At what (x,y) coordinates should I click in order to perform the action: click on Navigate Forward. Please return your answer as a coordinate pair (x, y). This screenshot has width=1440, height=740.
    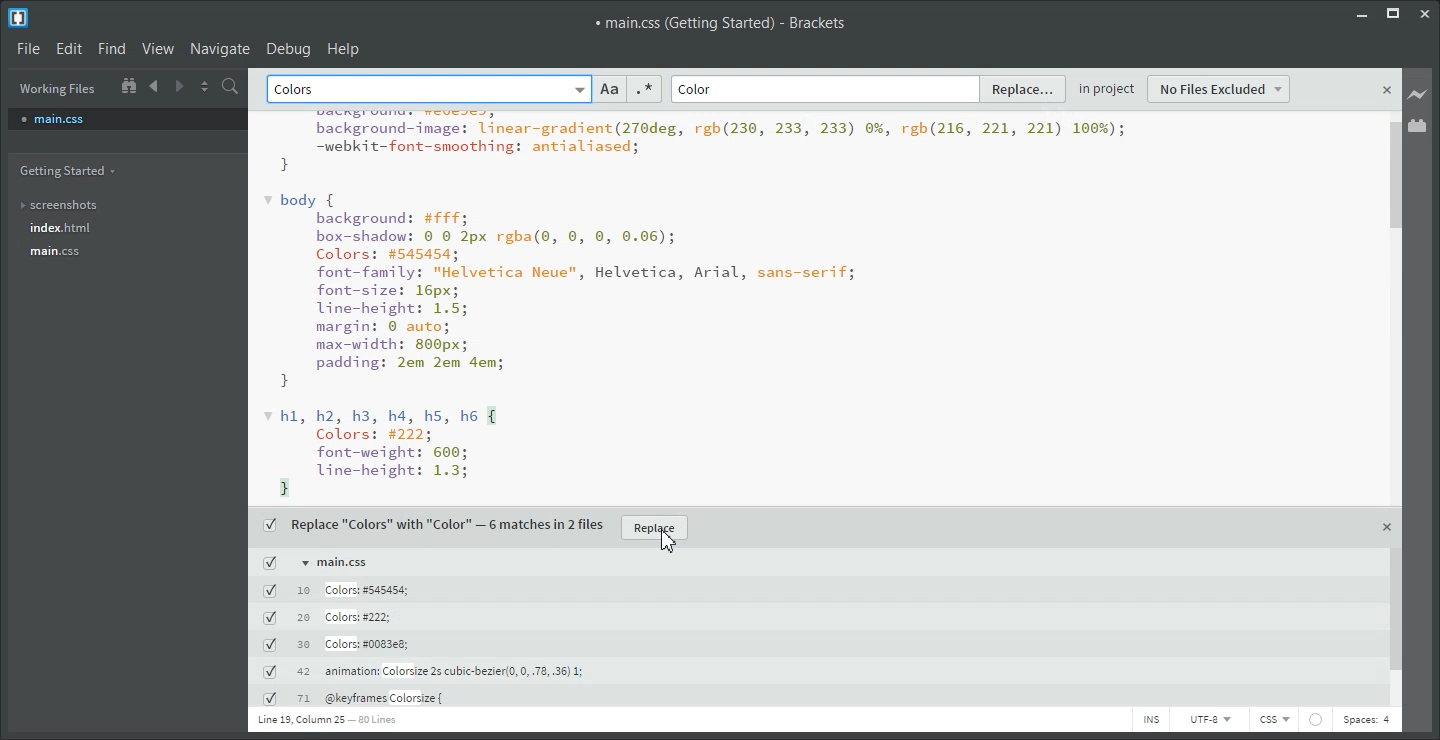
    Looking at the image, I should click on (180, 84).